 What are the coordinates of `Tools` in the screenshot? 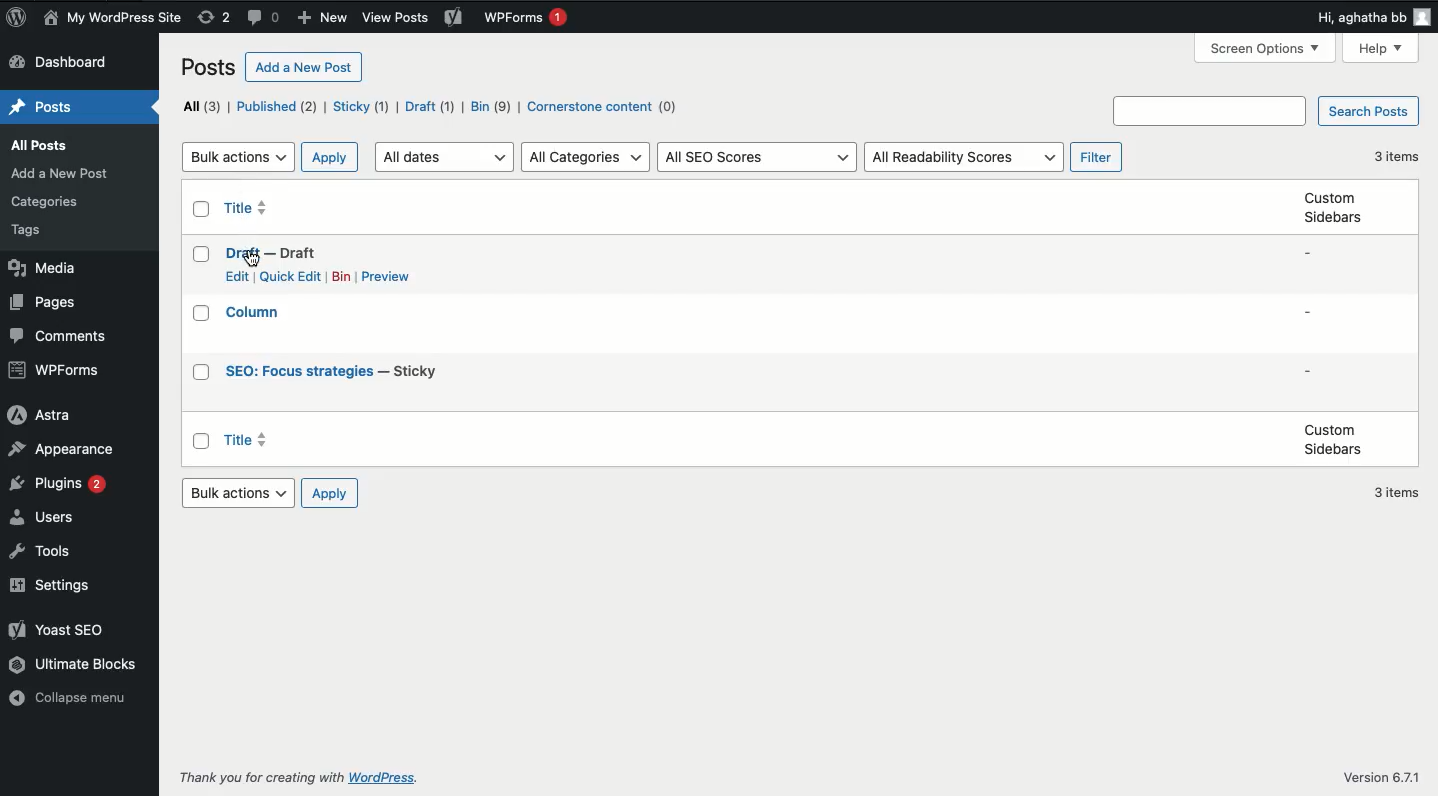 It's located at (43, 551).